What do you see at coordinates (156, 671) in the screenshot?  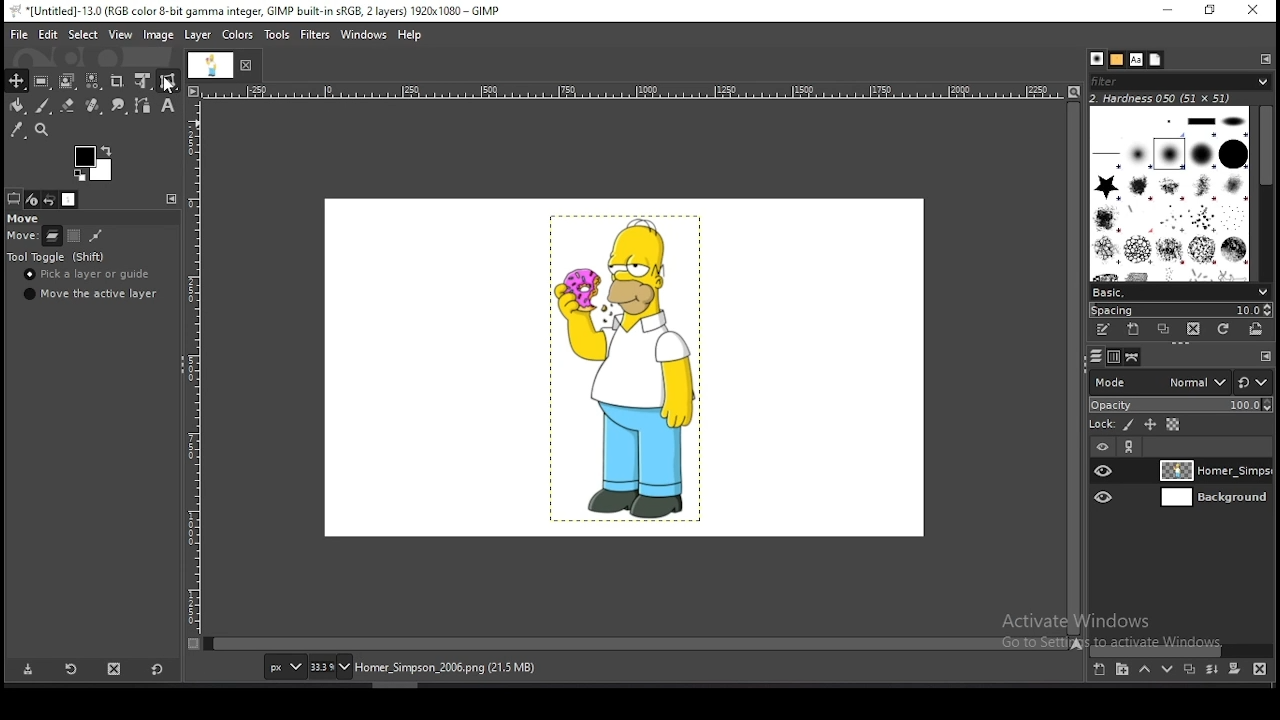 I see `reset` at bounding box center [156, 671].